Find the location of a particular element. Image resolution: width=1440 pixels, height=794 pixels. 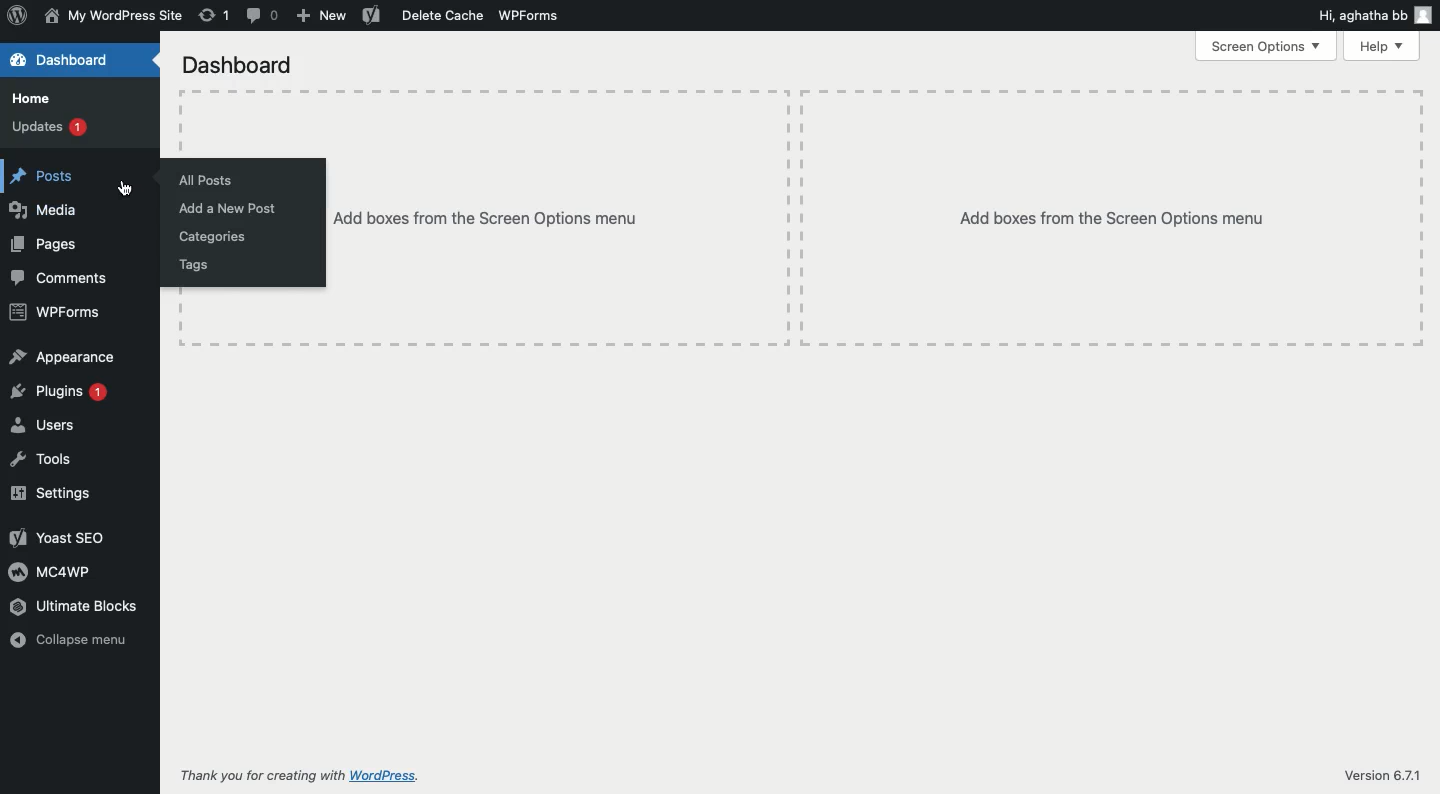

Add boxes from the Screen Options menu is located at coordinates (506, 231).